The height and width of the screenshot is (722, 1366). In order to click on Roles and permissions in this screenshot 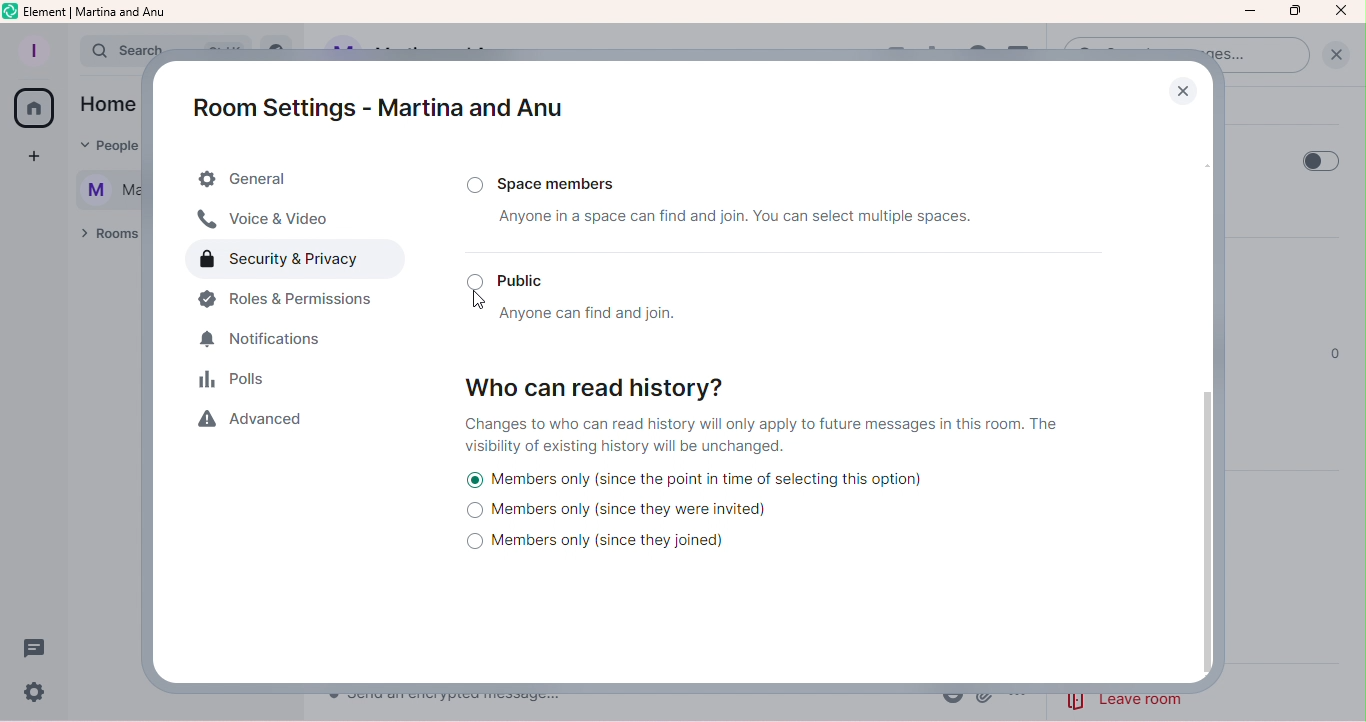, I will do `click(294, 302)`.